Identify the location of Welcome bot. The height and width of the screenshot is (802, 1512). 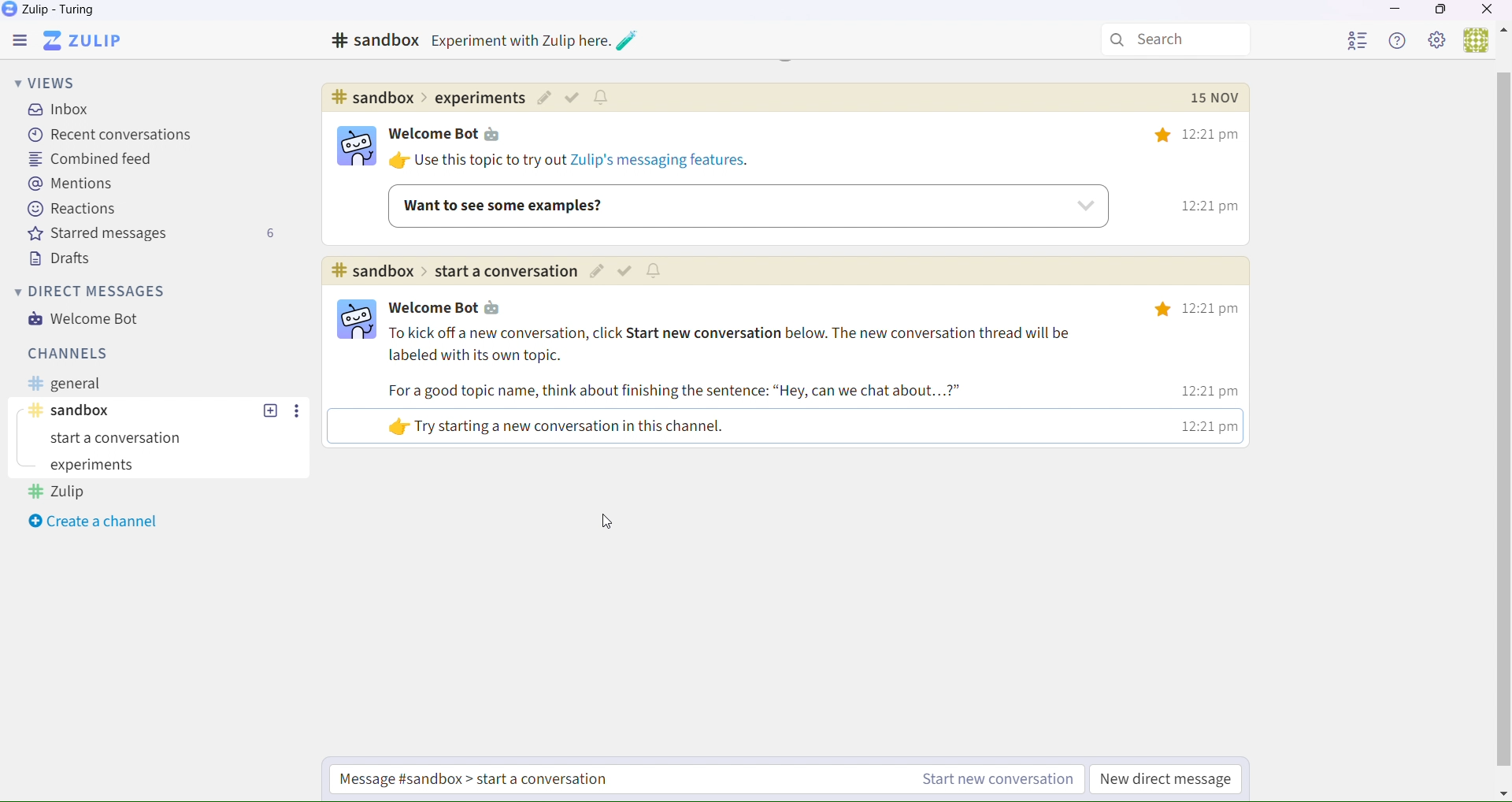
(452, 136).